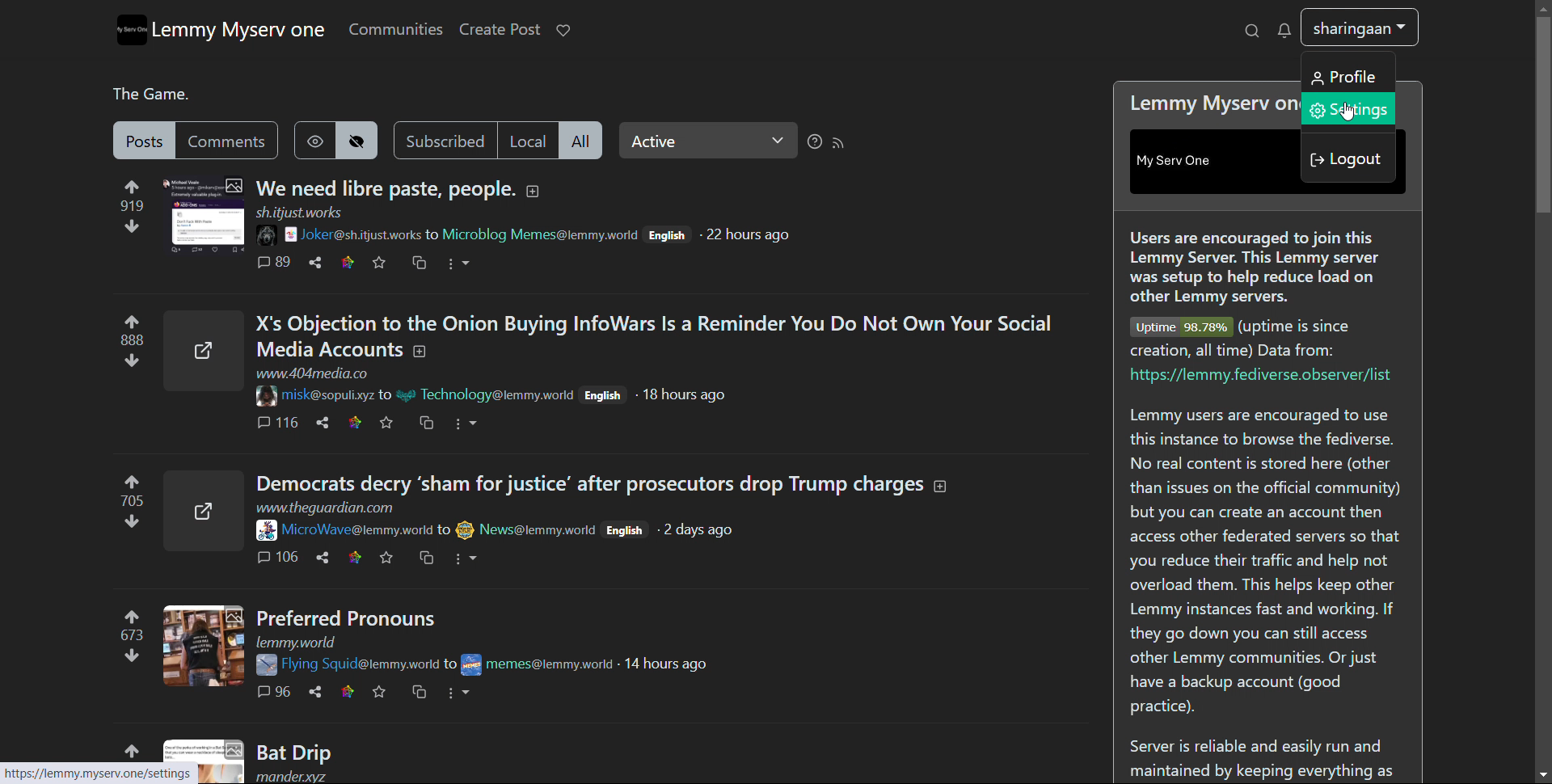  What do you see at coordinates (444, 141) in the screenshot?
I see `subscribed` at bounding box center [444, 141].